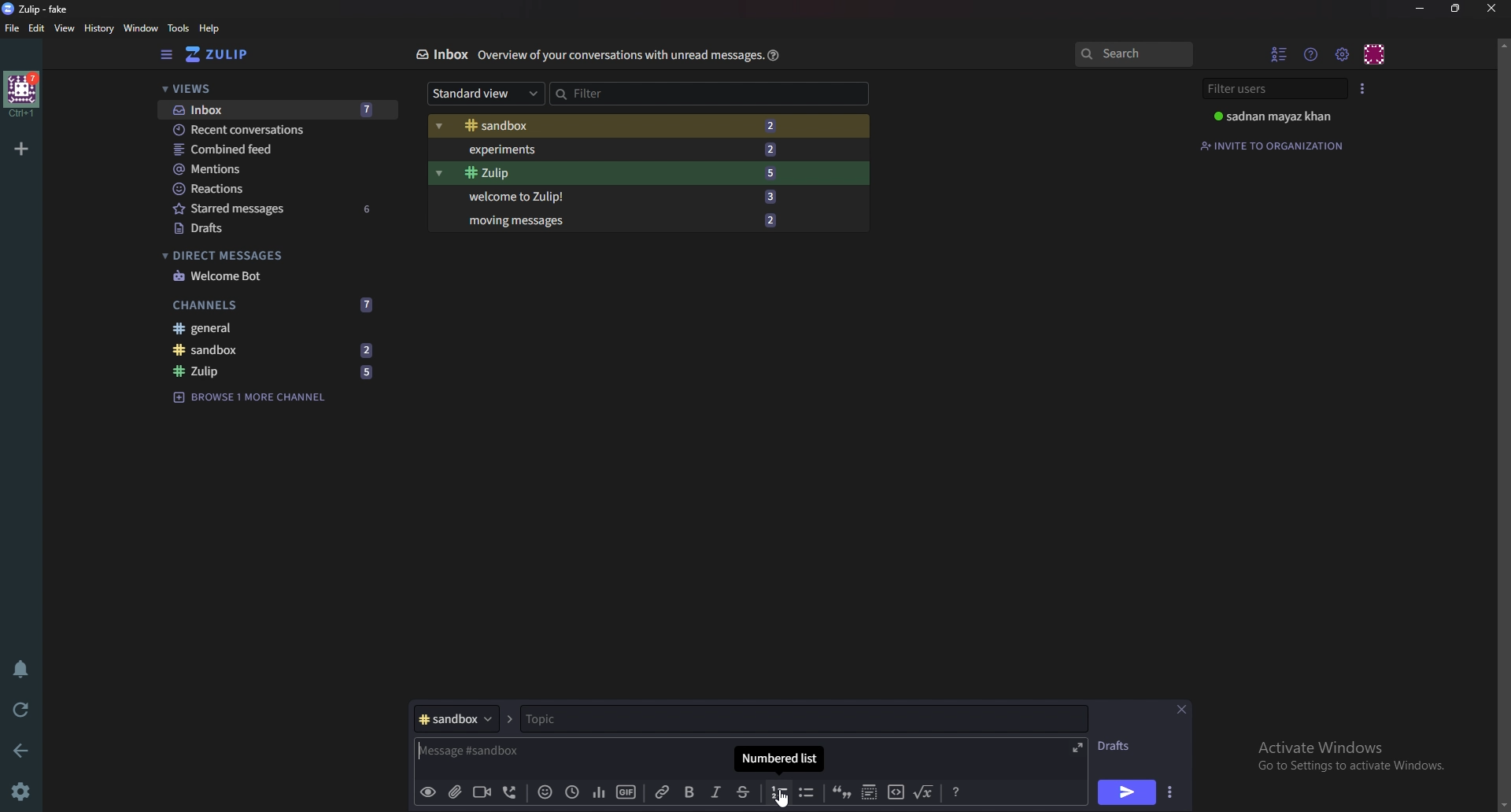  What do you see at coordinates (279, 372) in the screenshot?
I see `zulip` at bounding box center [279, 372].